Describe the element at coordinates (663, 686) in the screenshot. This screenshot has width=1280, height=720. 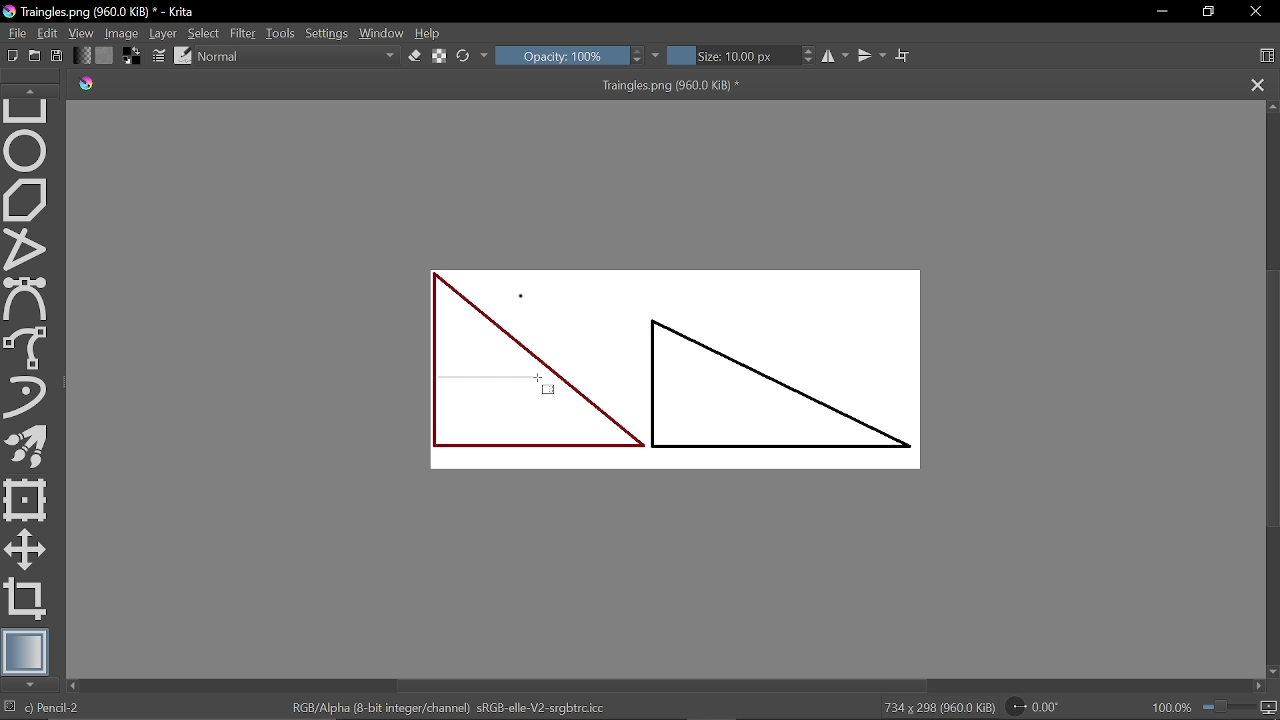
I see `Horizontal scrollbar` at that location.